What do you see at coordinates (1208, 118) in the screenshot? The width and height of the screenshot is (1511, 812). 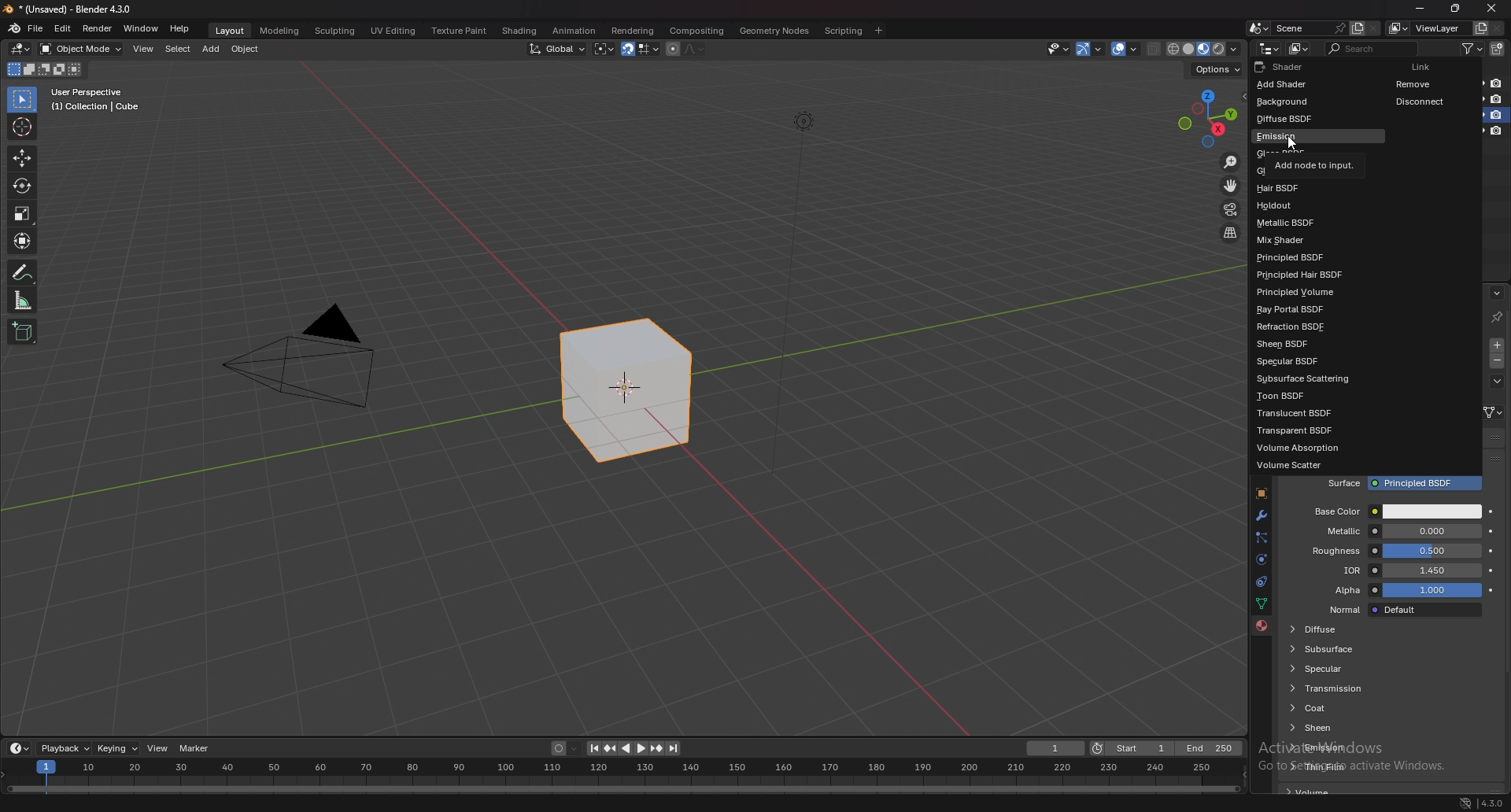 I see `preset viewpoint` at bounding box center [1208, 118].